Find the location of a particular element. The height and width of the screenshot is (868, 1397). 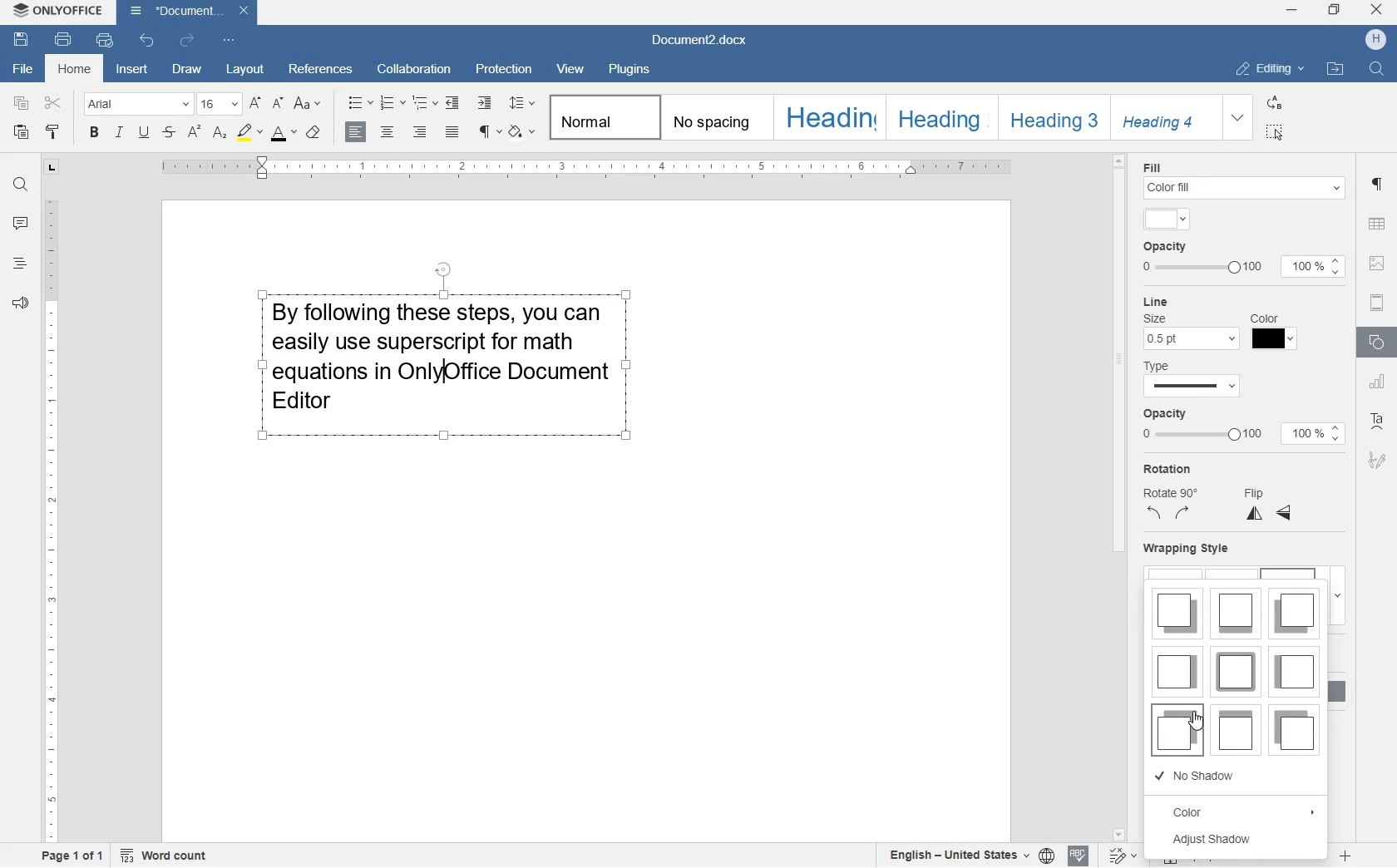

HEADING 4 is located at coordinates (1161, 118).